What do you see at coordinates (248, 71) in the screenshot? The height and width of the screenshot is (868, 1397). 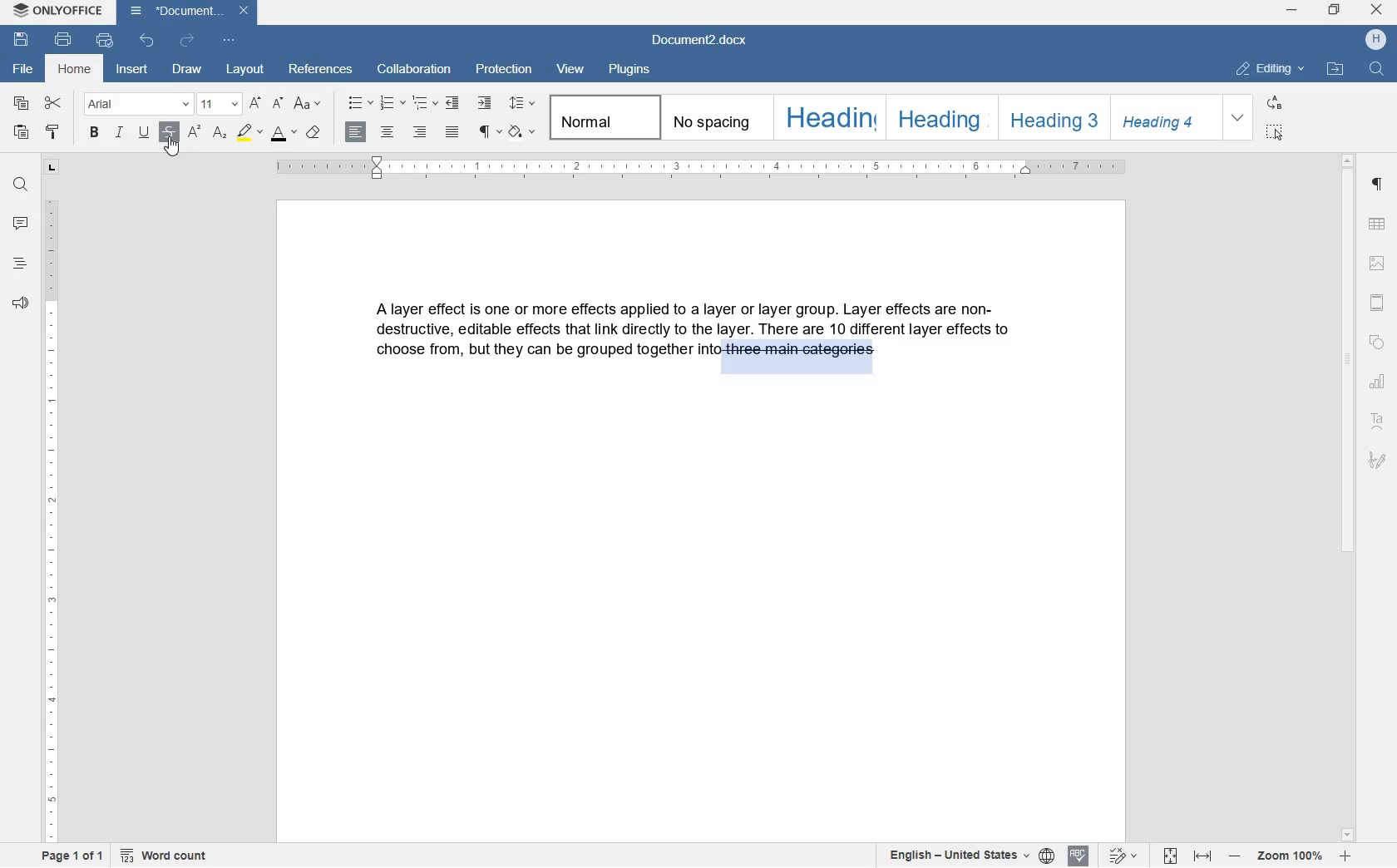 I see `layout` at bounding box center [248, 71].